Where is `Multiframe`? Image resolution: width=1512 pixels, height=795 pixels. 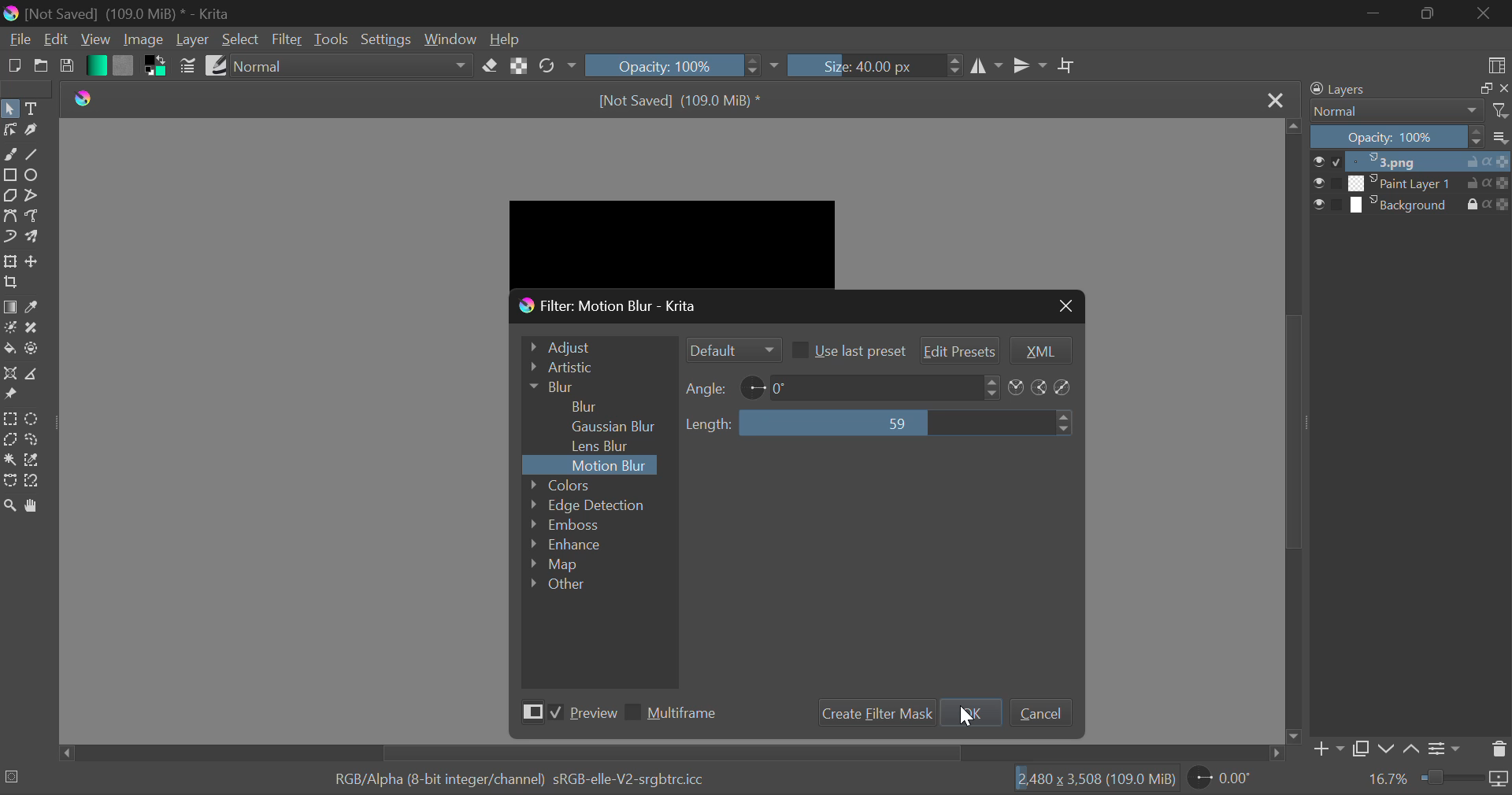
Multiframe is located at coordinates (676, 715).